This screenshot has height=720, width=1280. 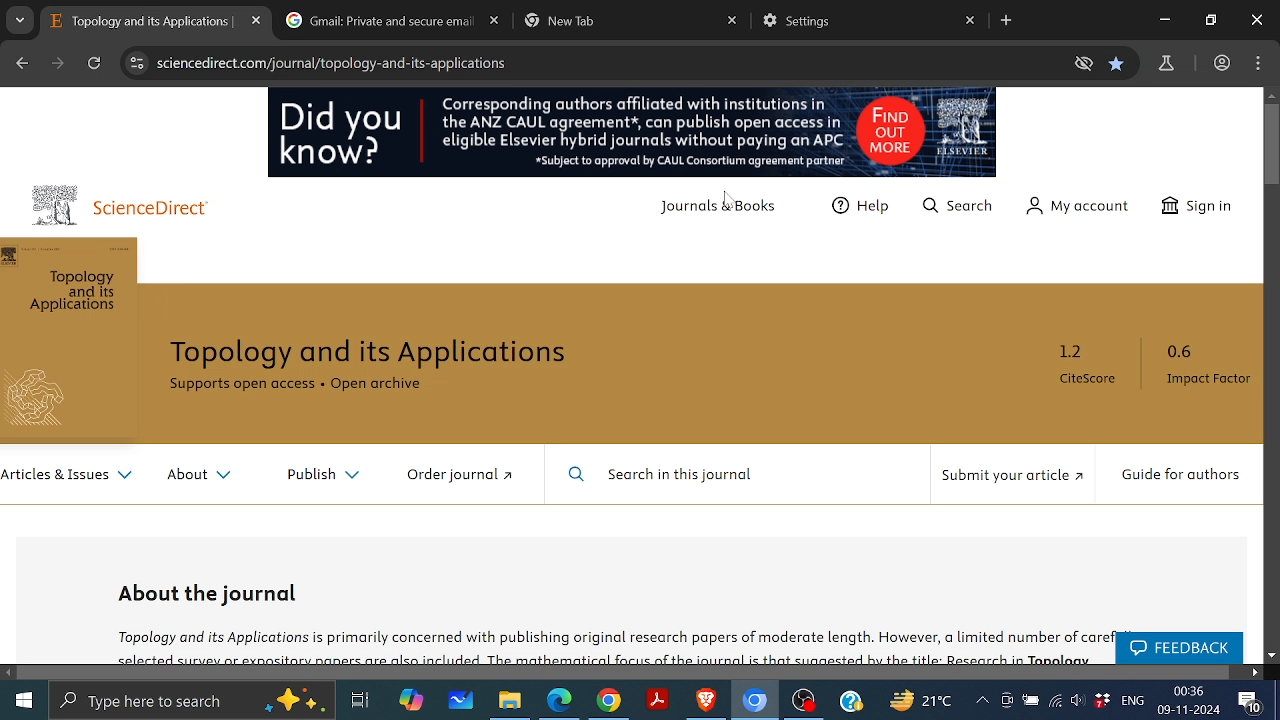 I want to click on Search Tabs, so click(x=20, y=20).